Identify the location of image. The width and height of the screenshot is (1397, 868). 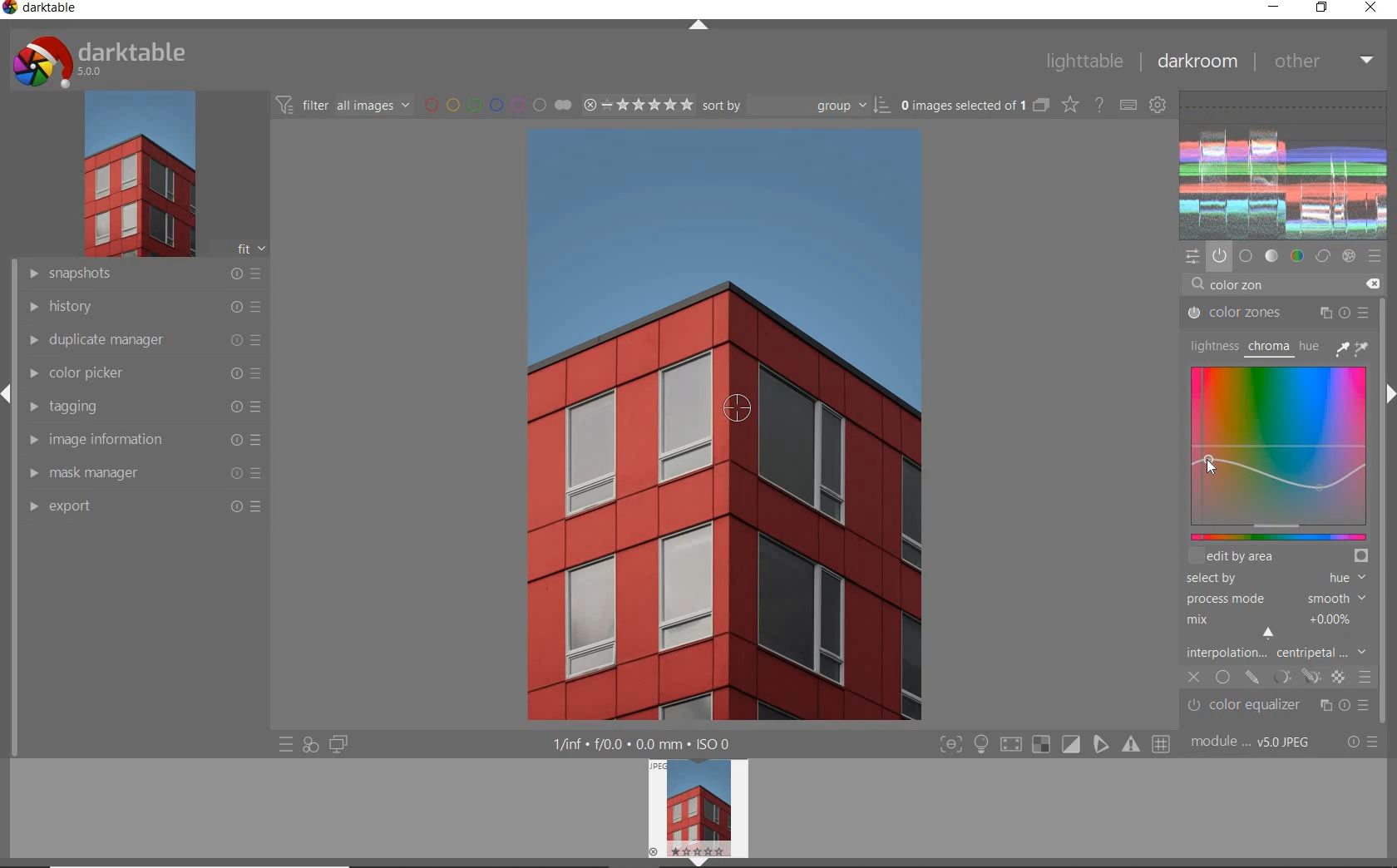
(138, 176).